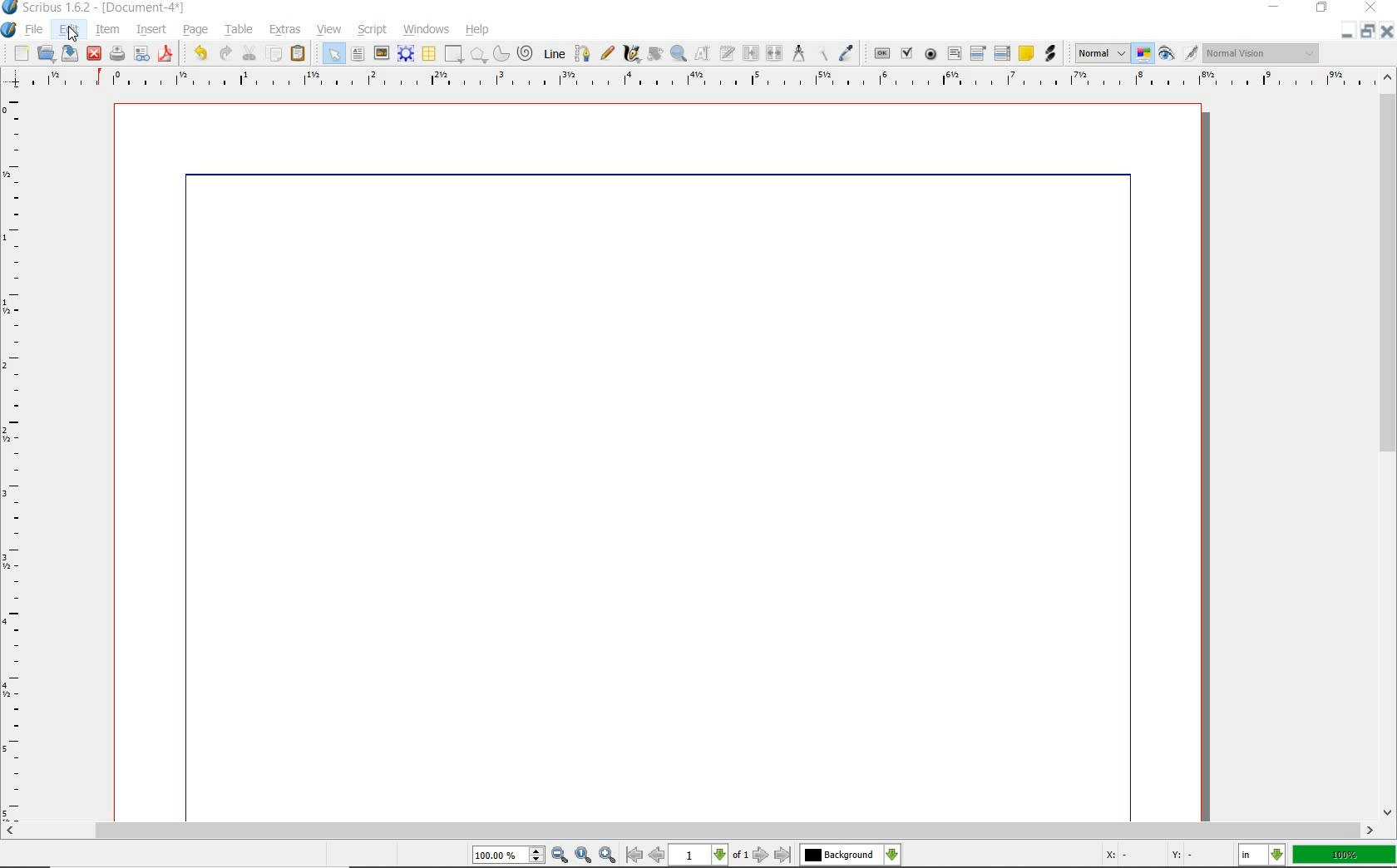 The height and width of the screenshot is (868, 1397). I want to click on go to last page, so click(783, 855).